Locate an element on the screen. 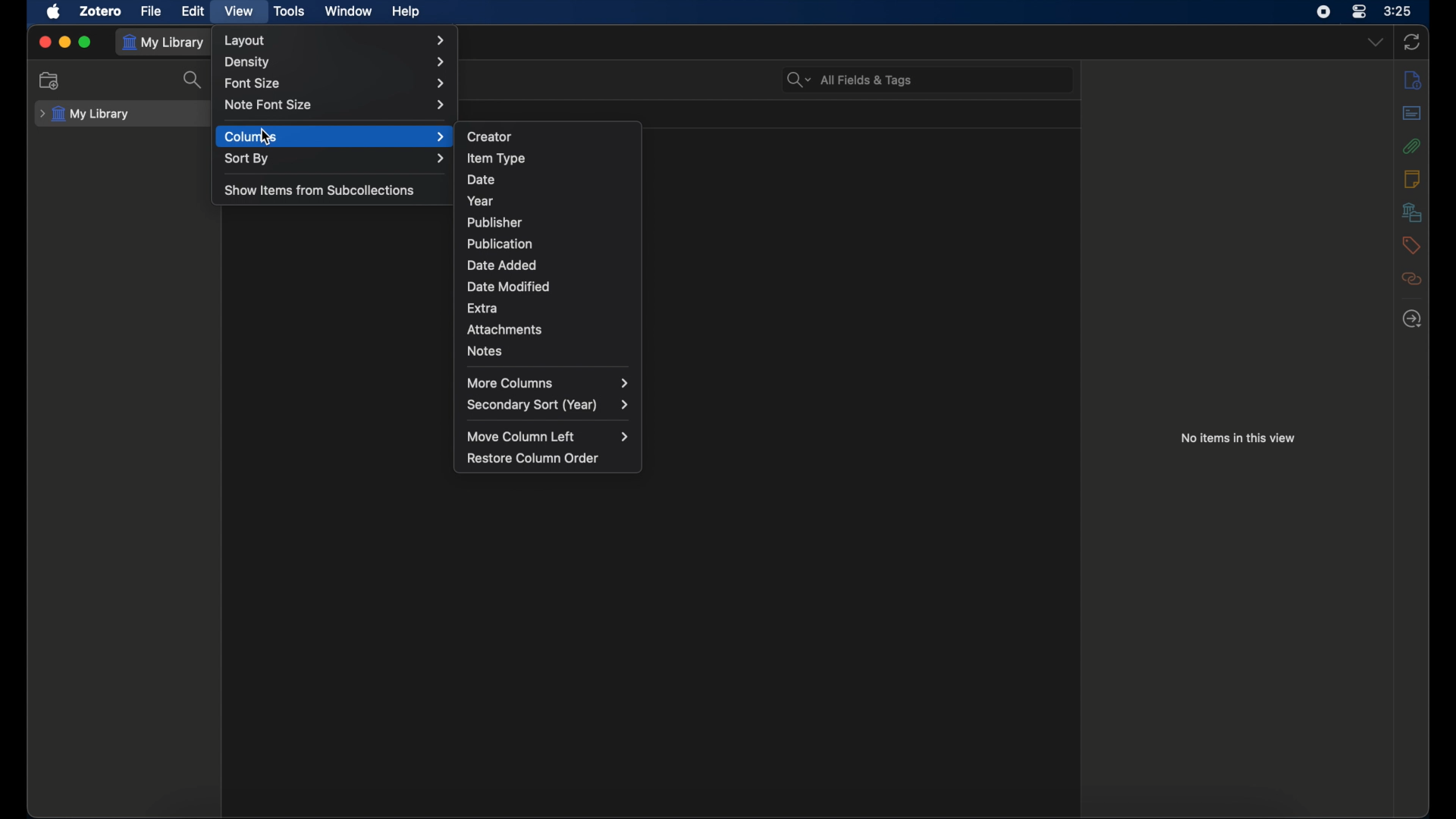  sync is located at coordinates (1411, 42).